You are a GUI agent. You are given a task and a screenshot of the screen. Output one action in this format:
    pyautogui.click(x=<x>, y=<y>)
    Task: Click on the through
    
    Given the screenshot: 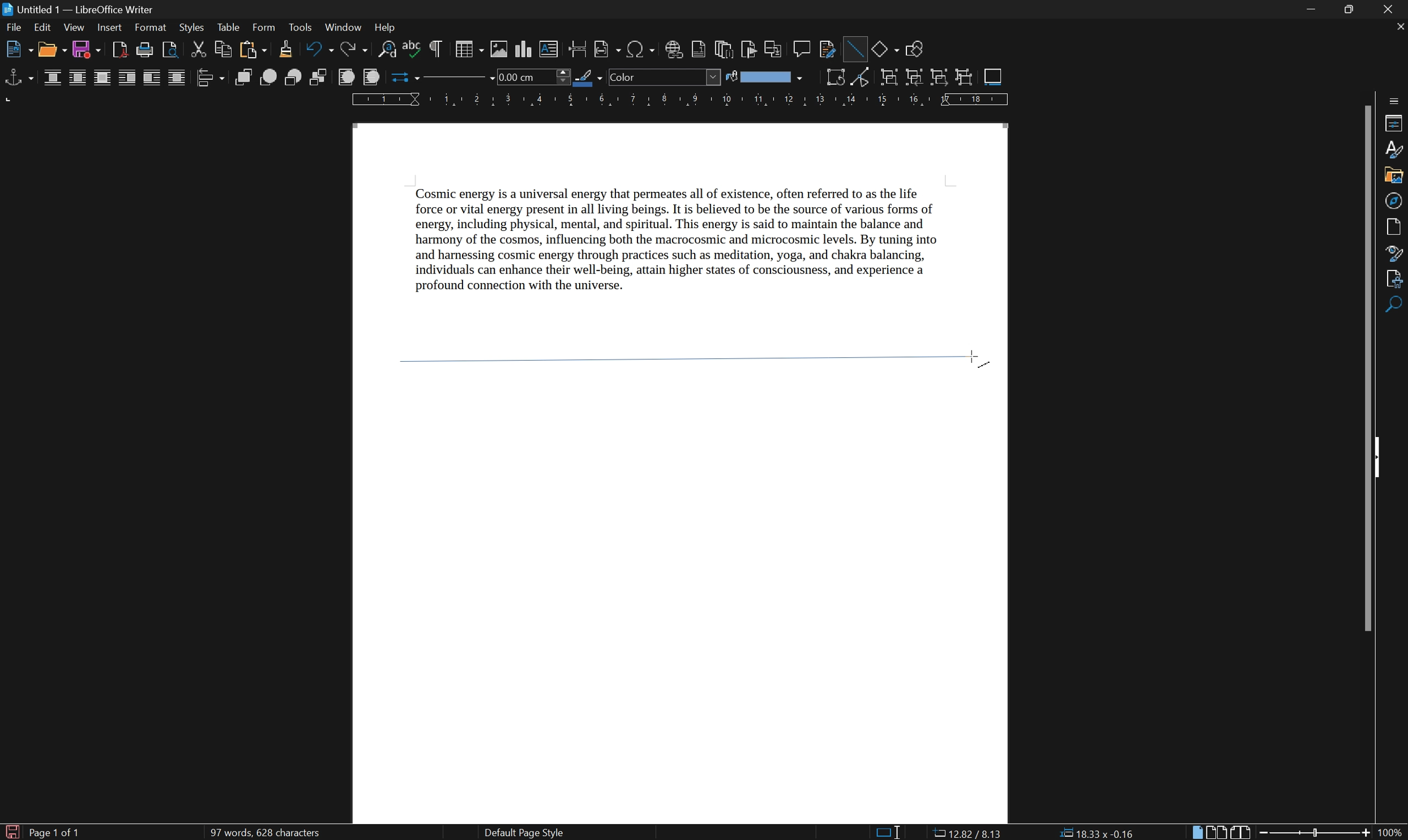 What is the action you would take?
    pyautogui.click(x=177, y=78)
    